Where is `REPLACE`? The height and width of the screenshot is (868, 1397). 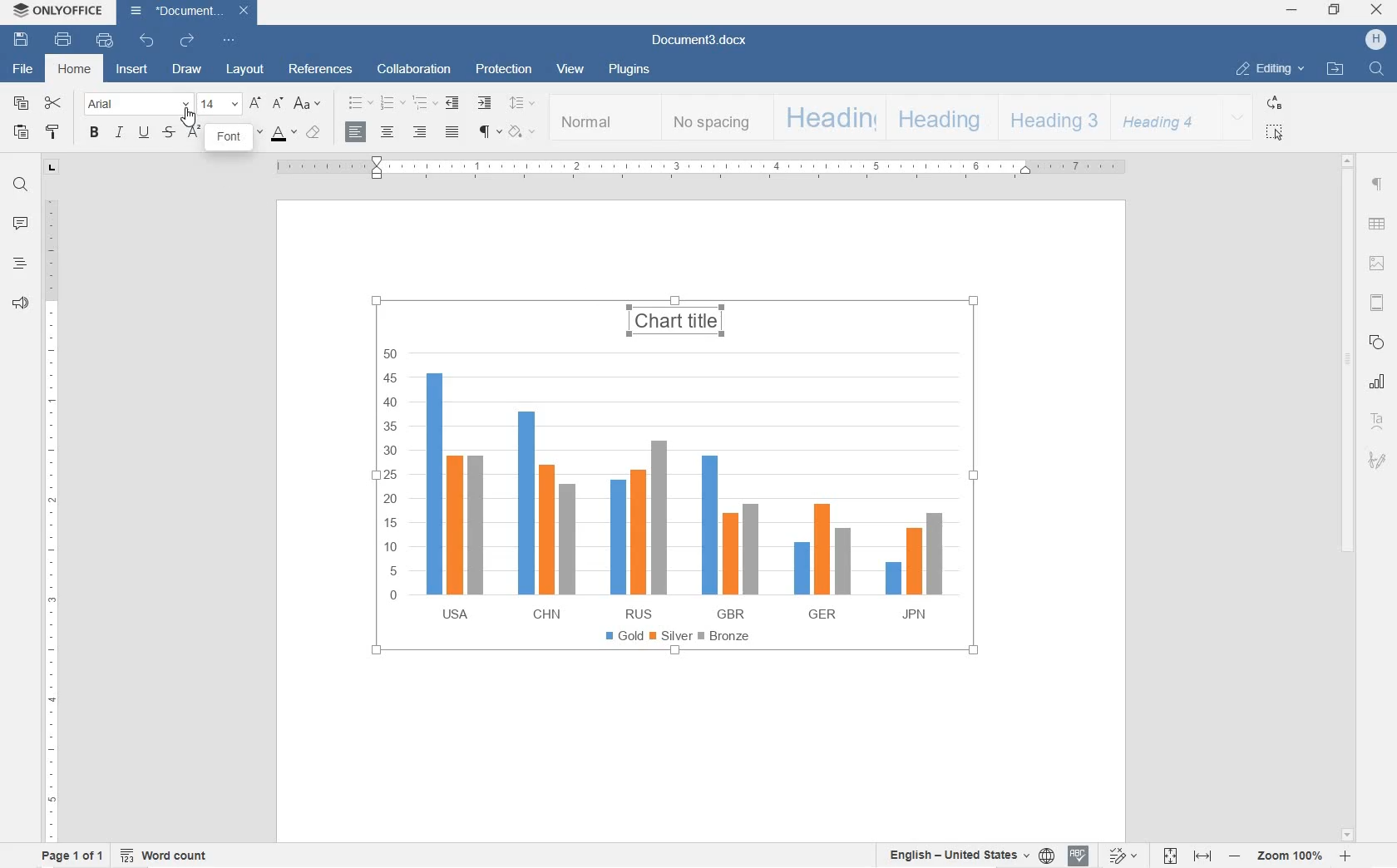
REPLACE is located at coordinates (1272, 102).